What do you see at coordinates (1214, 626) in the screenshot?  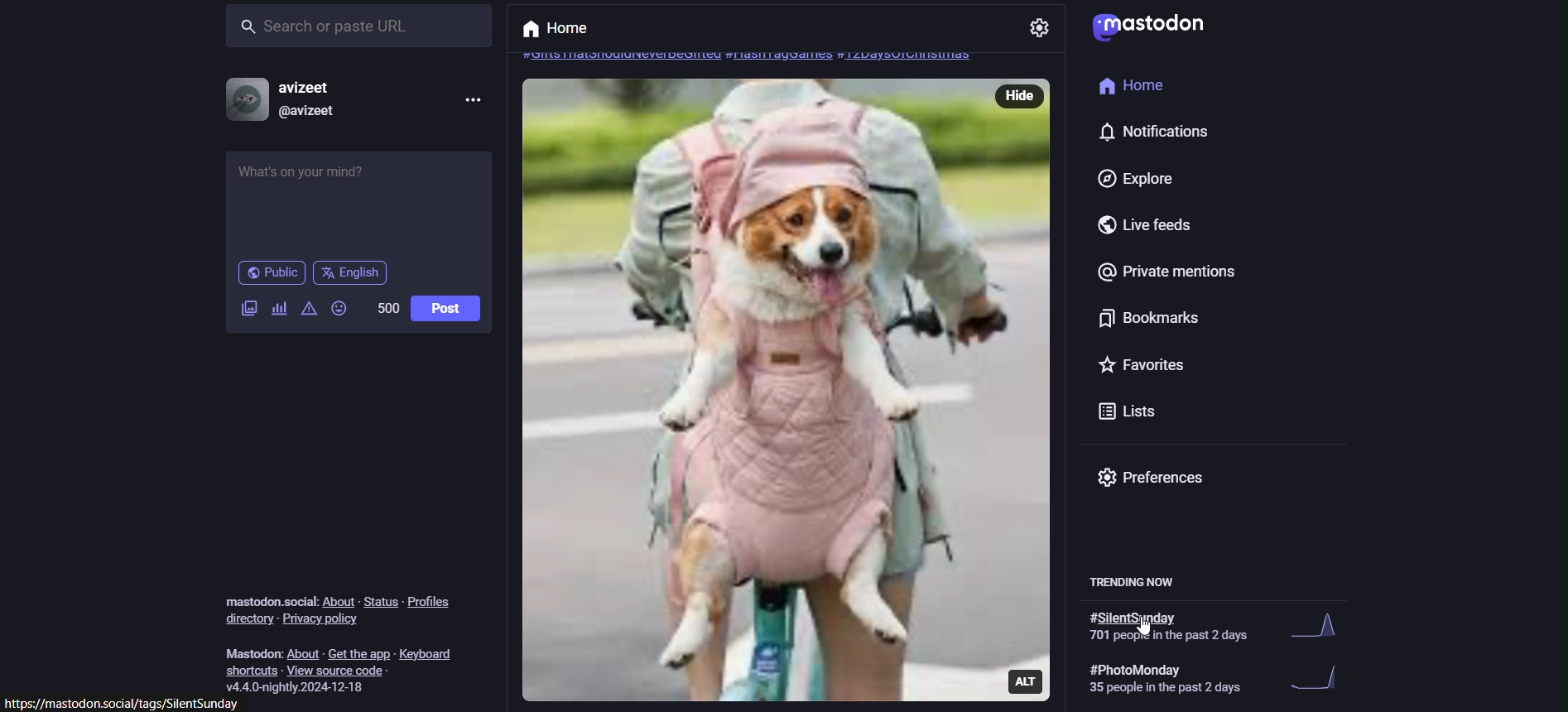 I see `Silent Sunday 701 people in the last 2 days` at bounding box center [1214, 626].